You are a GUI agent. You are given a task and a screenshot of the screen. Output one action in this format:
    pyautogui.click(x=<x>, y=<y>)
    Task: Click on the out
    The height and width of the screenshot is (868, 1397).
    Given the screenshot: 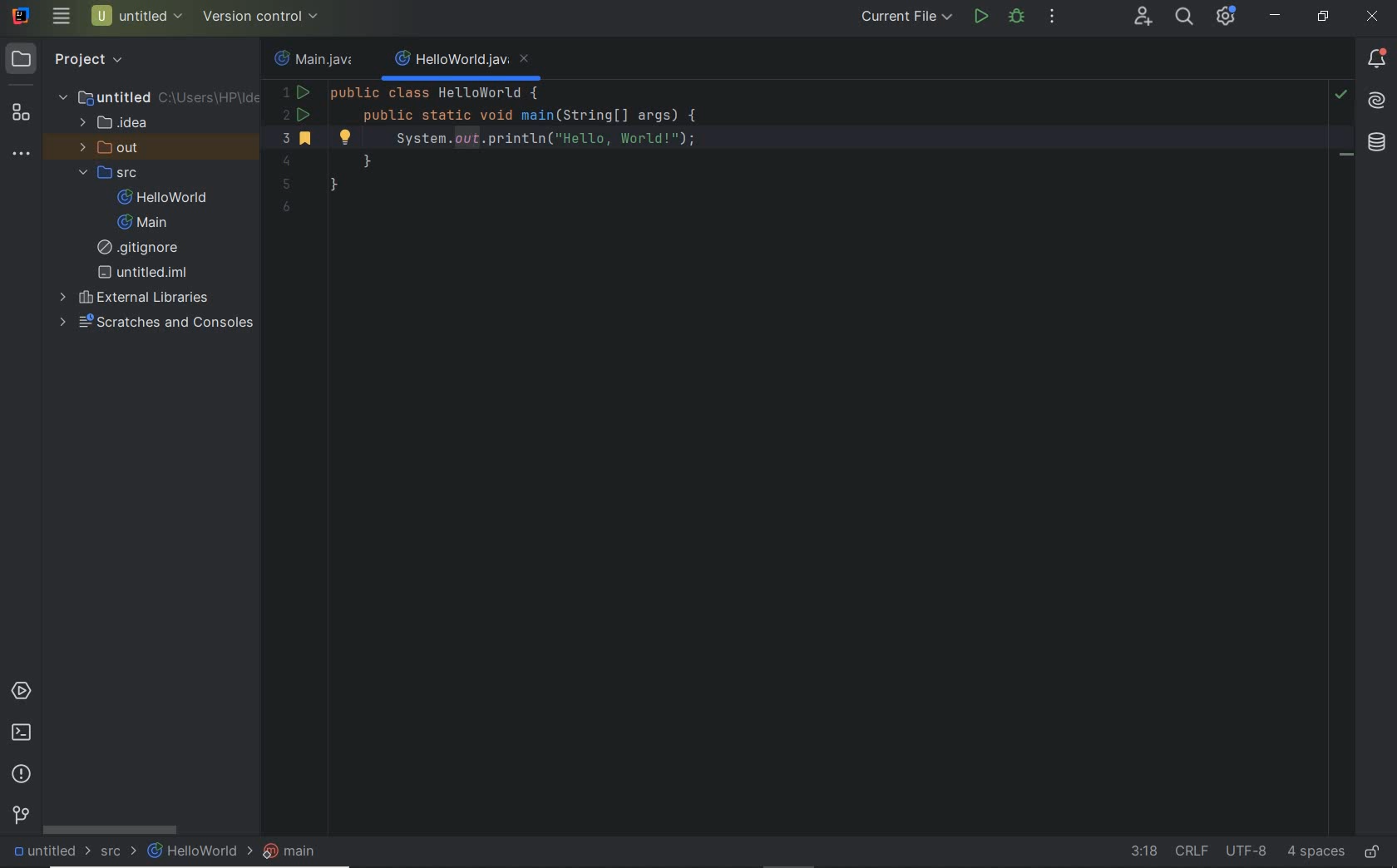 What is the action you would take?
    pyautogui.click(x=106, y=149)
    